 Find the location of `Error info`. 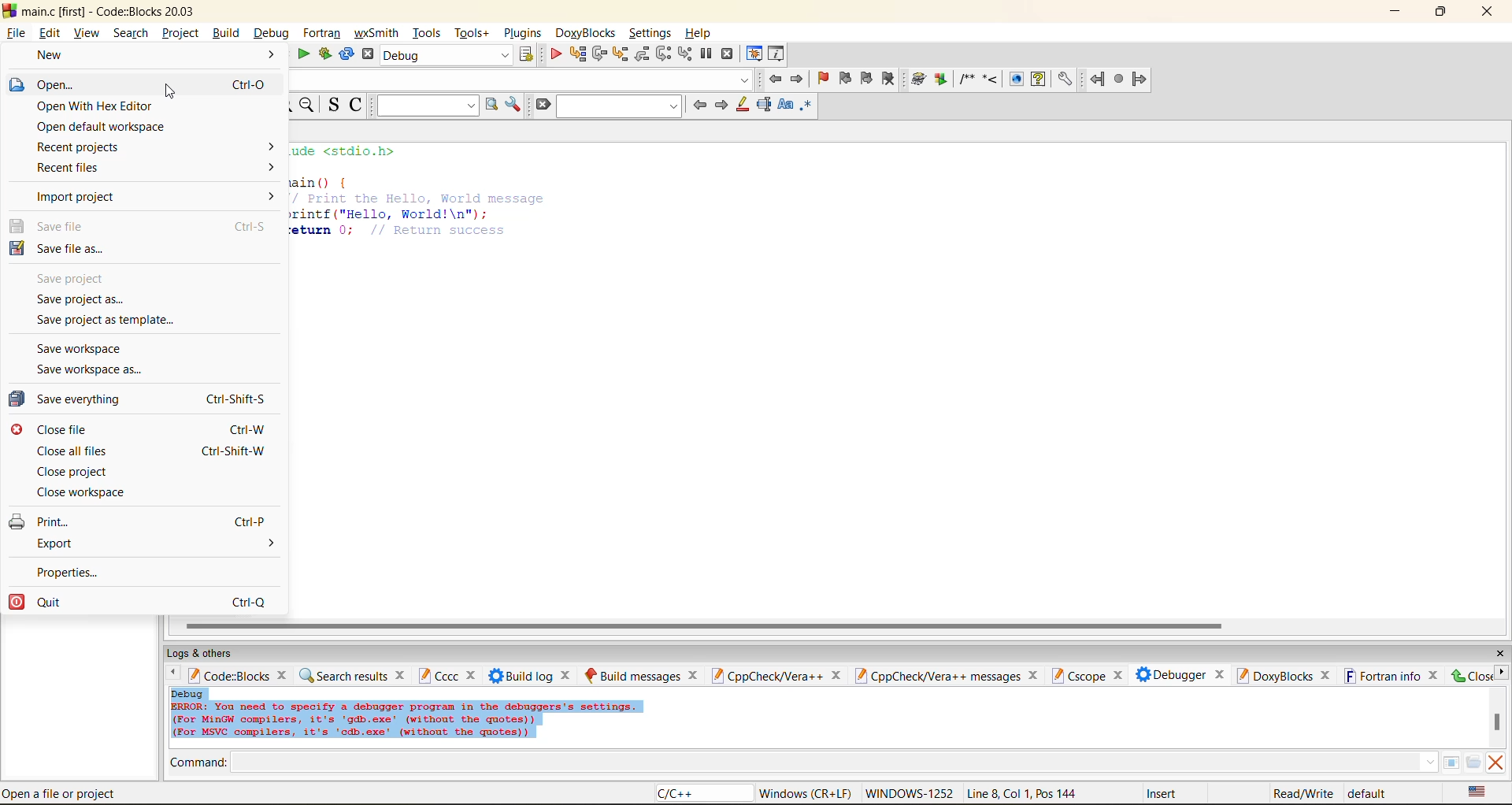

Error info is located at coordinates (406, 721).